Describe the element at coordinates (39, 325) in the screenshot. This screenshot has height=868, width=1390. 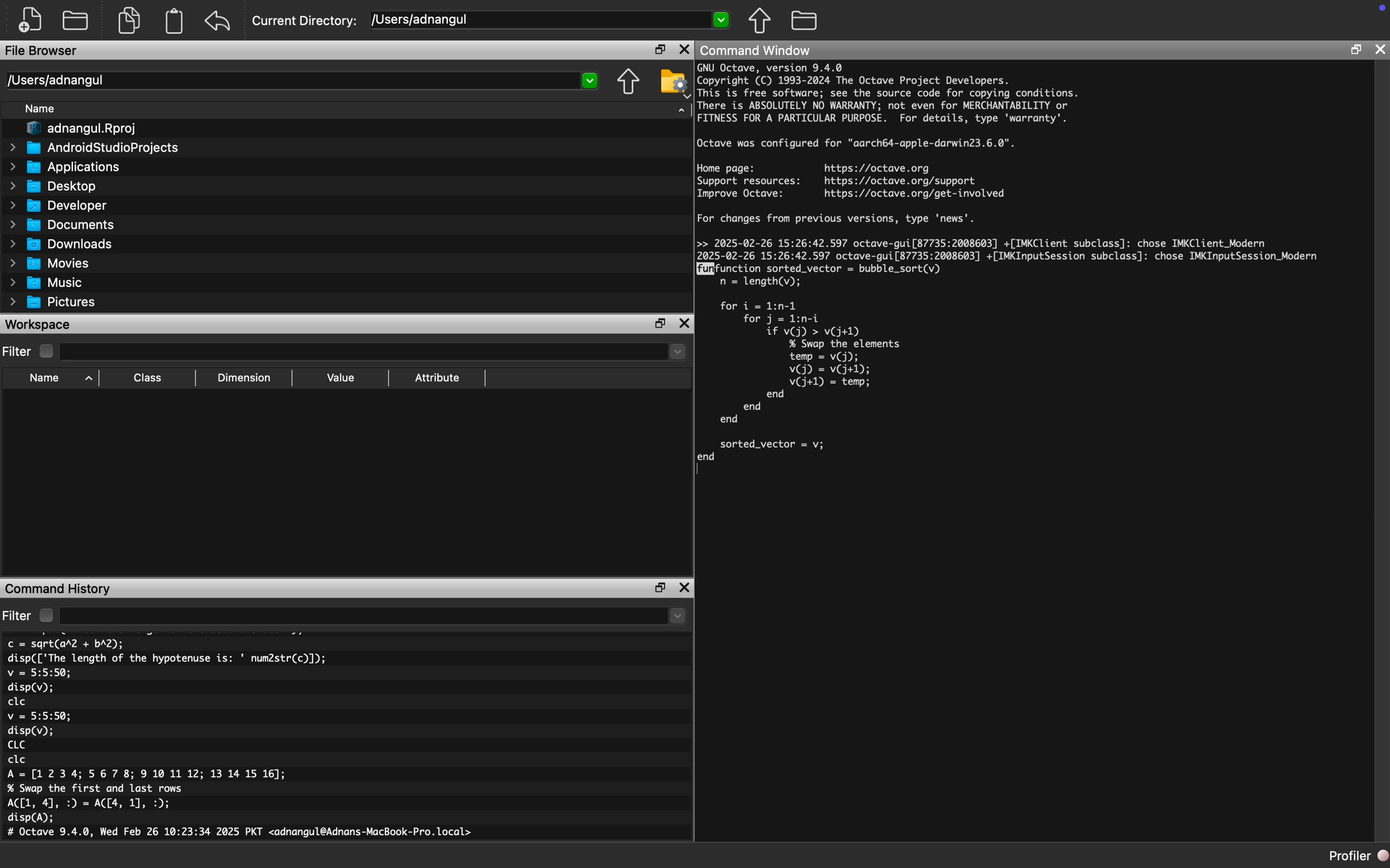
I see `Workspace` at that location.